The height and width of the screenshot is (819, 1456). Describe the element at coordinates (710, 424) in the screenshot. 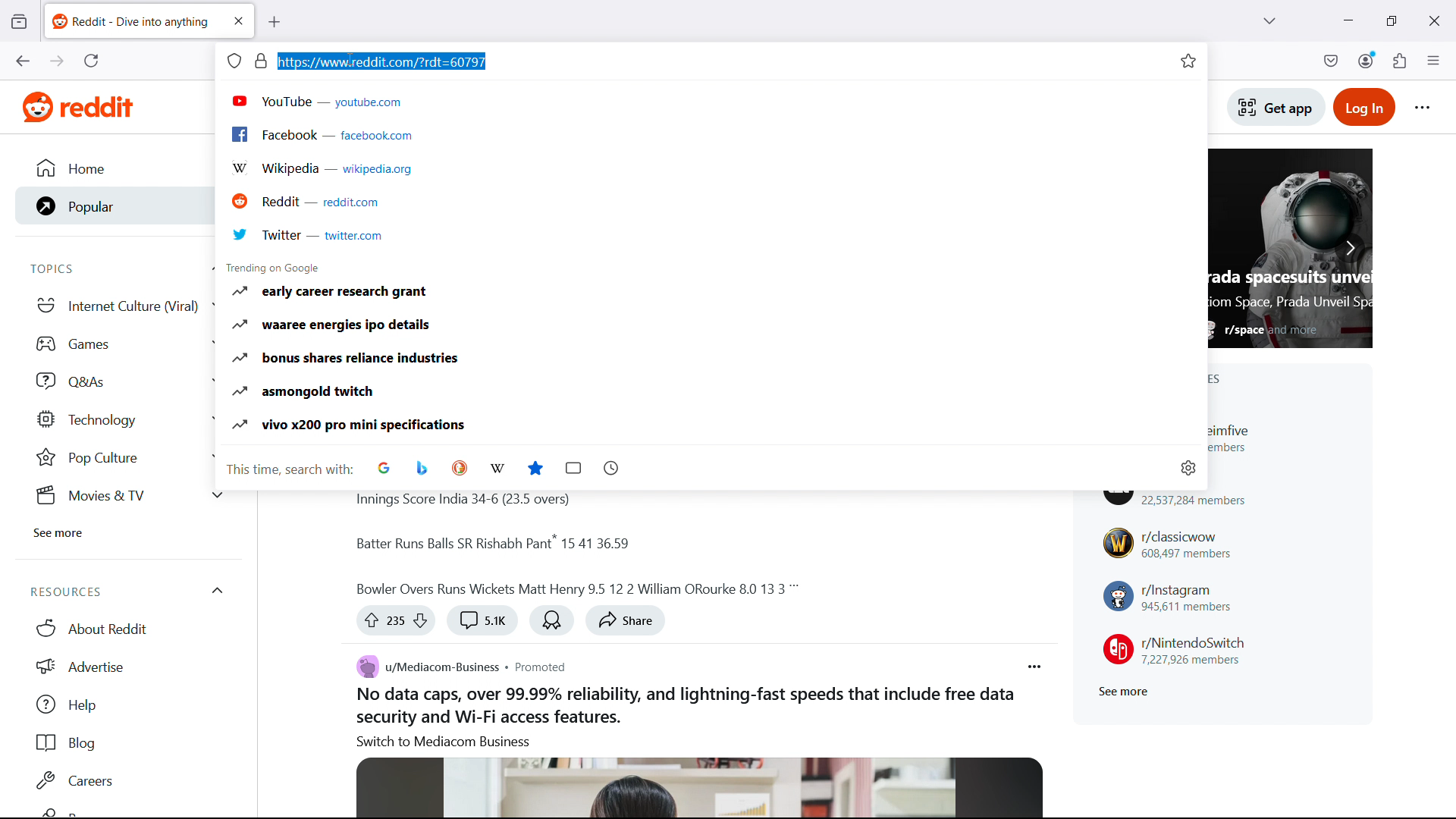

I see `Vivo X200 pro mini specifications` at that location.